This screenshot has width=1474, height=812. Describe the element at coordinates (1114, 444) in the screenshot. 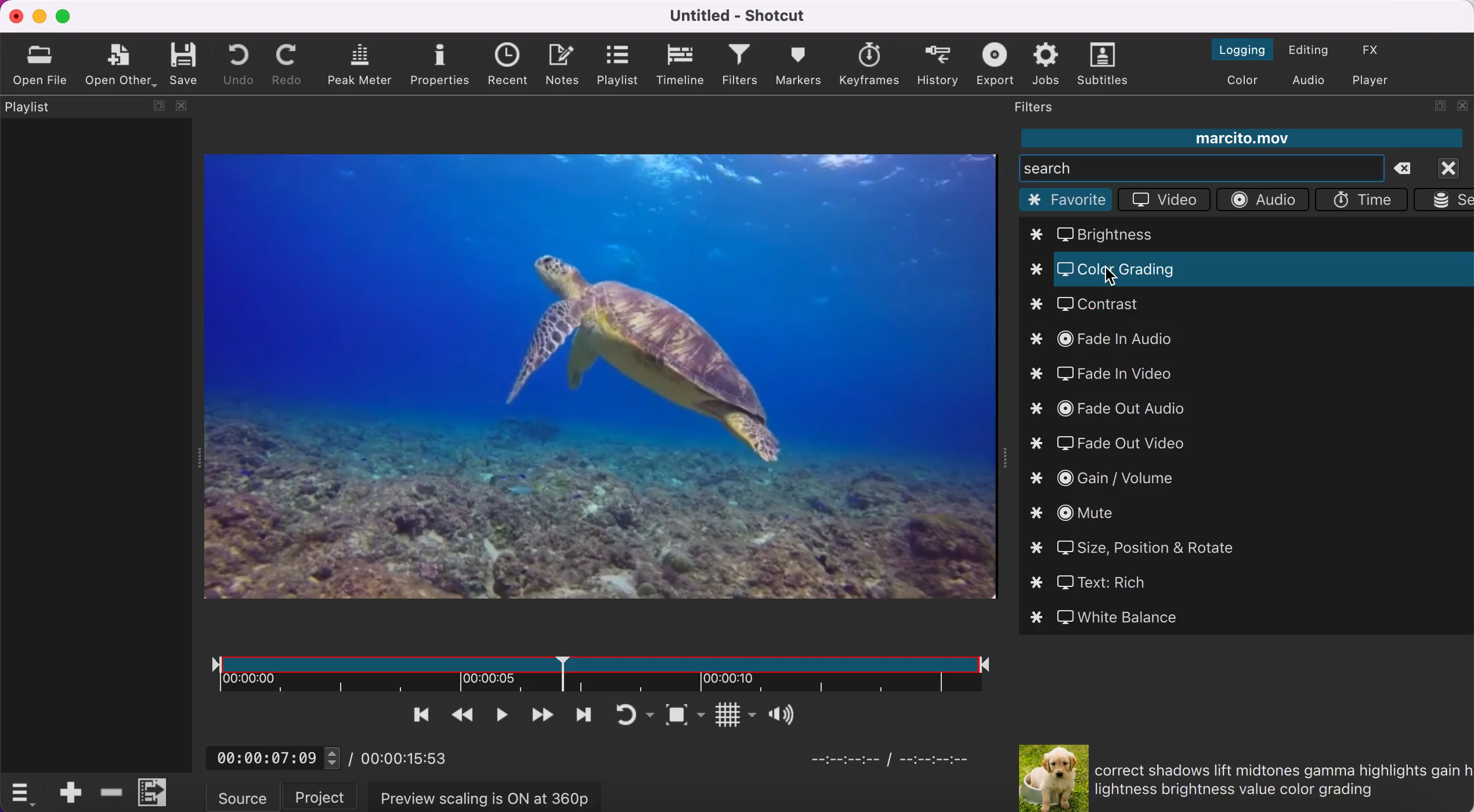

I see `fade out video` at that location.